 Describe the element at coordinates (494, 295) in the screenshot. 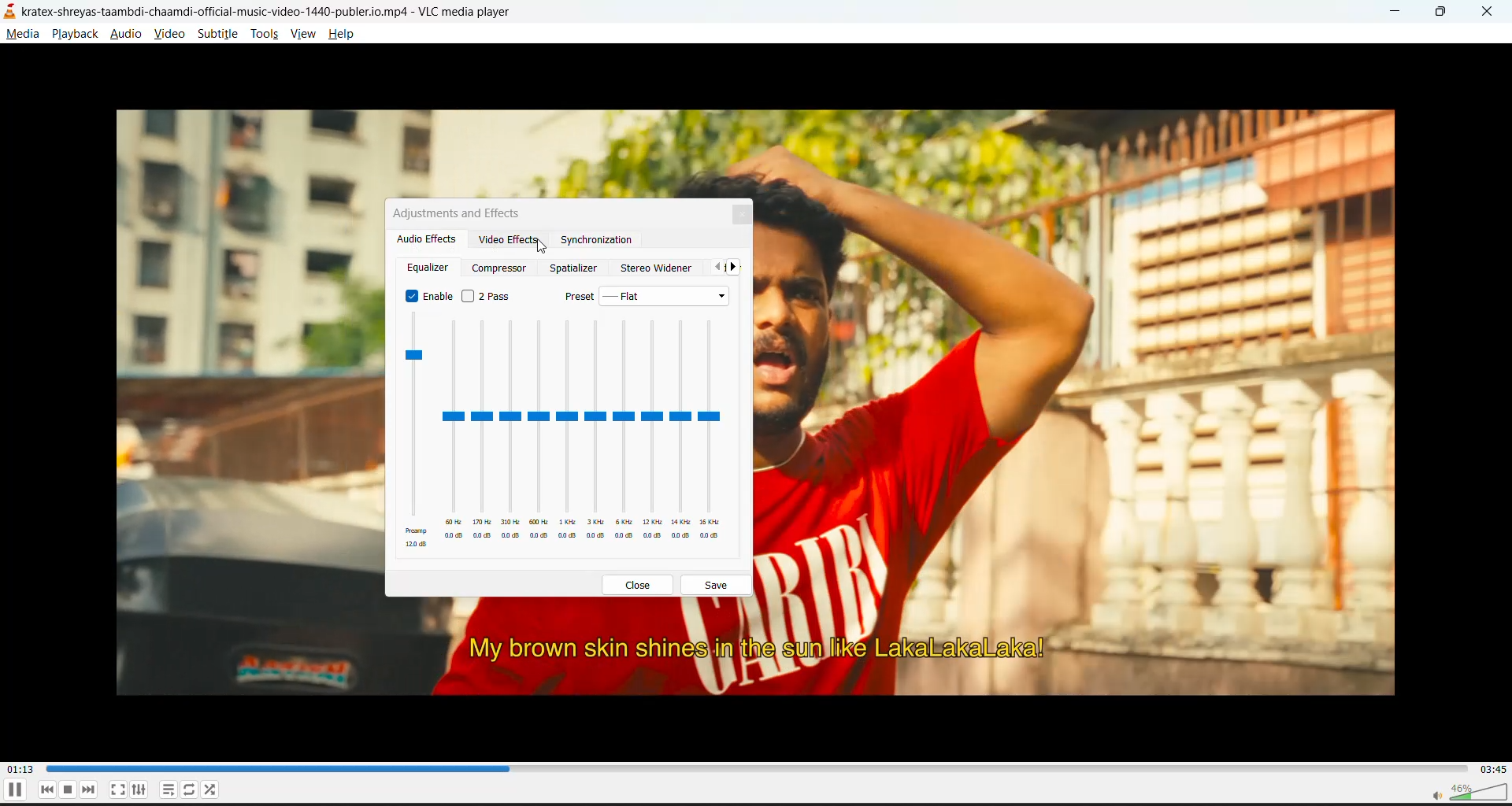

I see `2 pass` at that location.